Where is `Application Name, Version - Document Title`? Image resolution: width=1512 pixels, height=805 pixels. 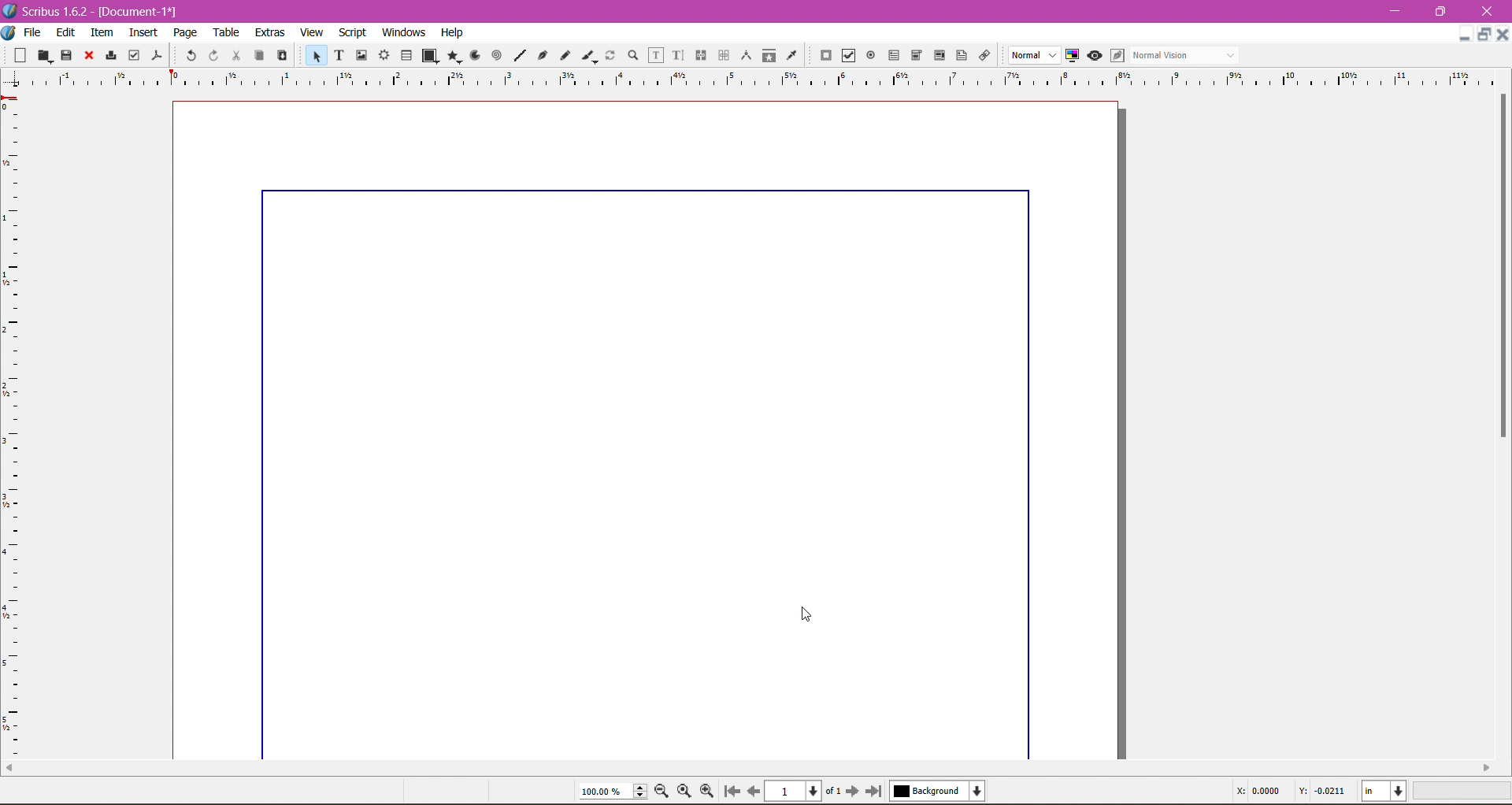 Application Name, Version - Document Title is located at coordinates (104, 12).